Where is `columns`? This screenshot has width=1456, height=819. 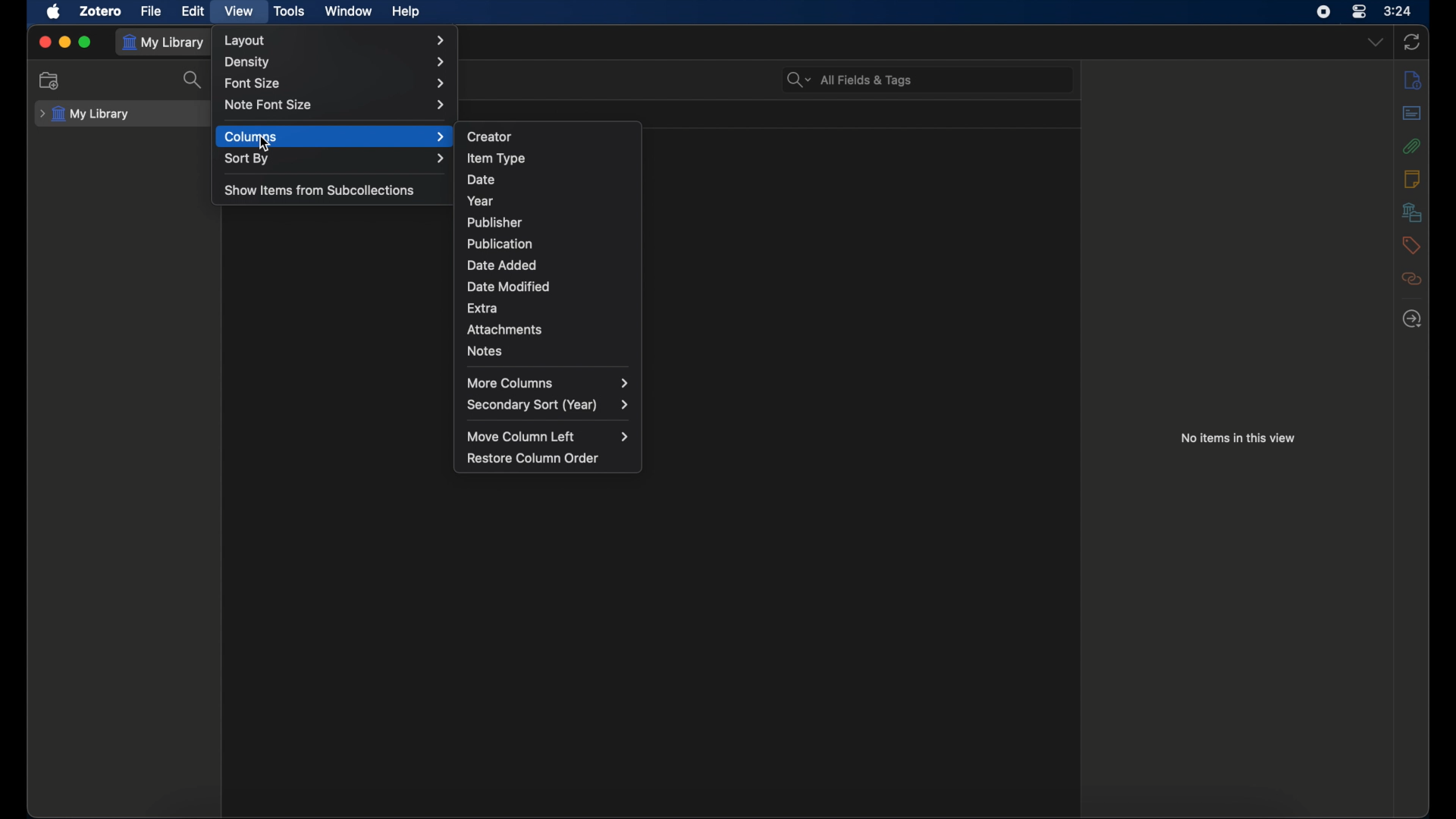 columns is located at coordinates (335, 136).